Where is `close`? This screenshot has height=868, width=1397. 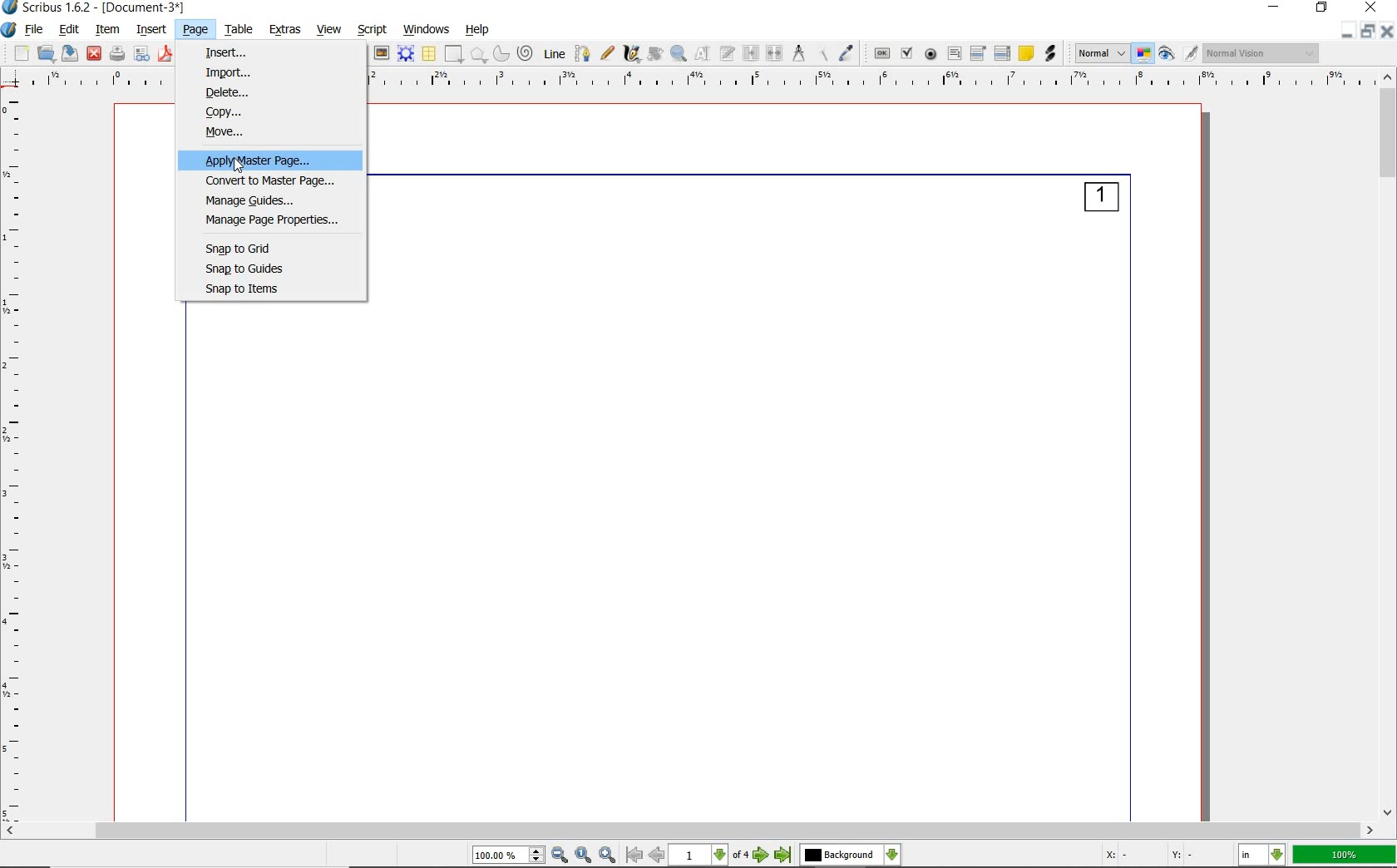
close is located at coordinates (1389, 31).